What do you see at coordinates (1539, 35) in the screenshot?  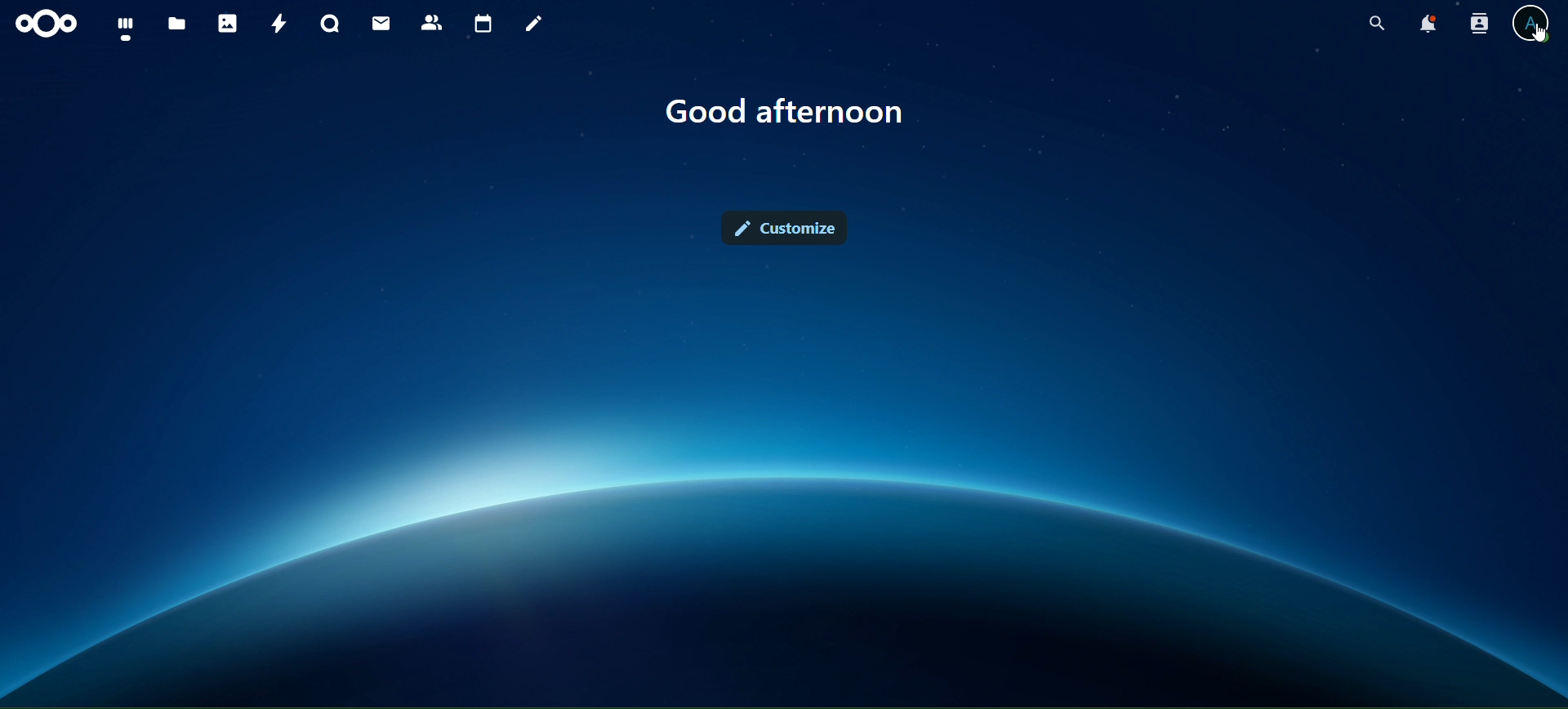 I see `cursor` at bounding box center [1539, 35].